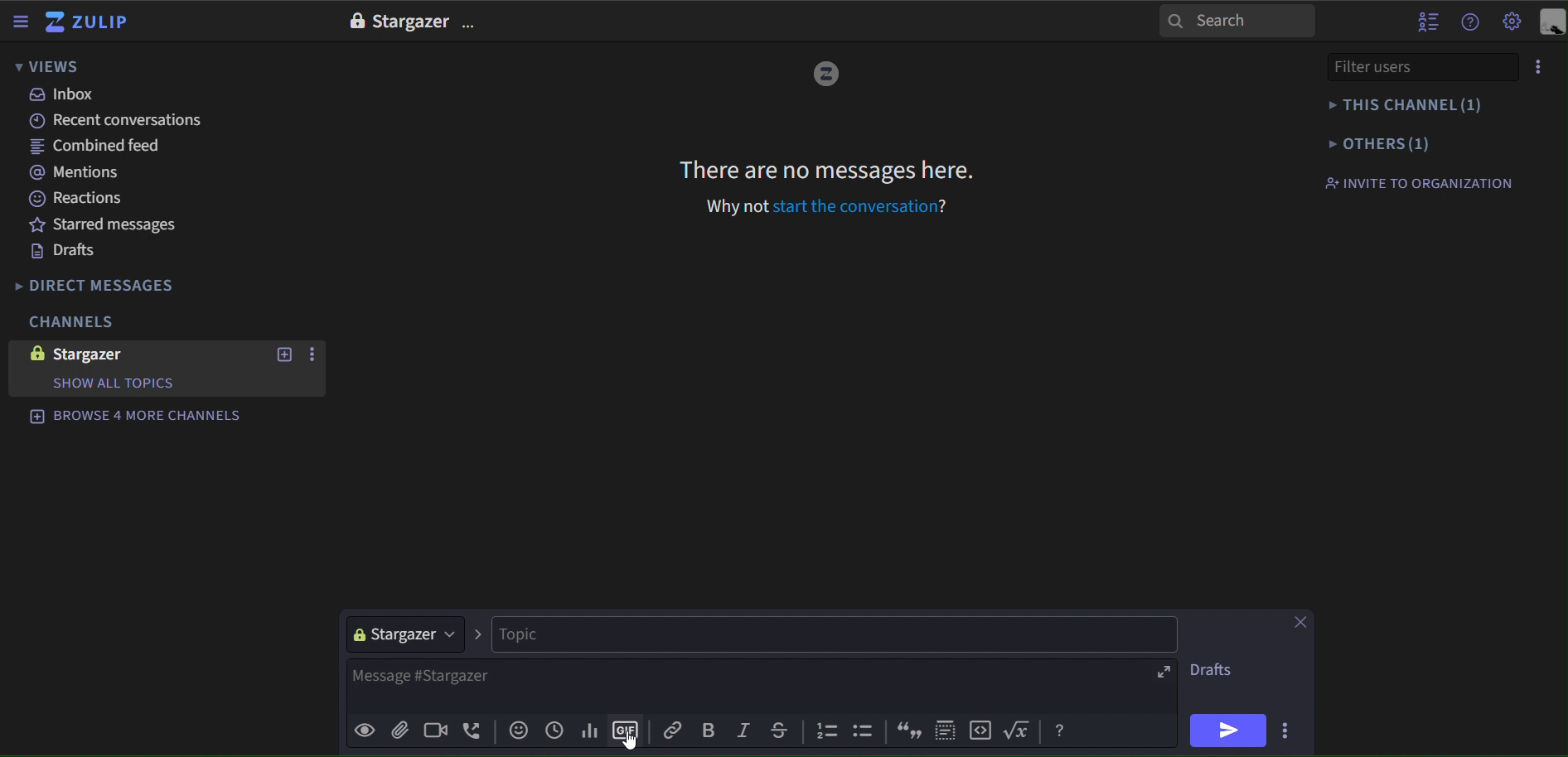 The image size is (1568, 757). I want to click on new topic, so click(283, 354).